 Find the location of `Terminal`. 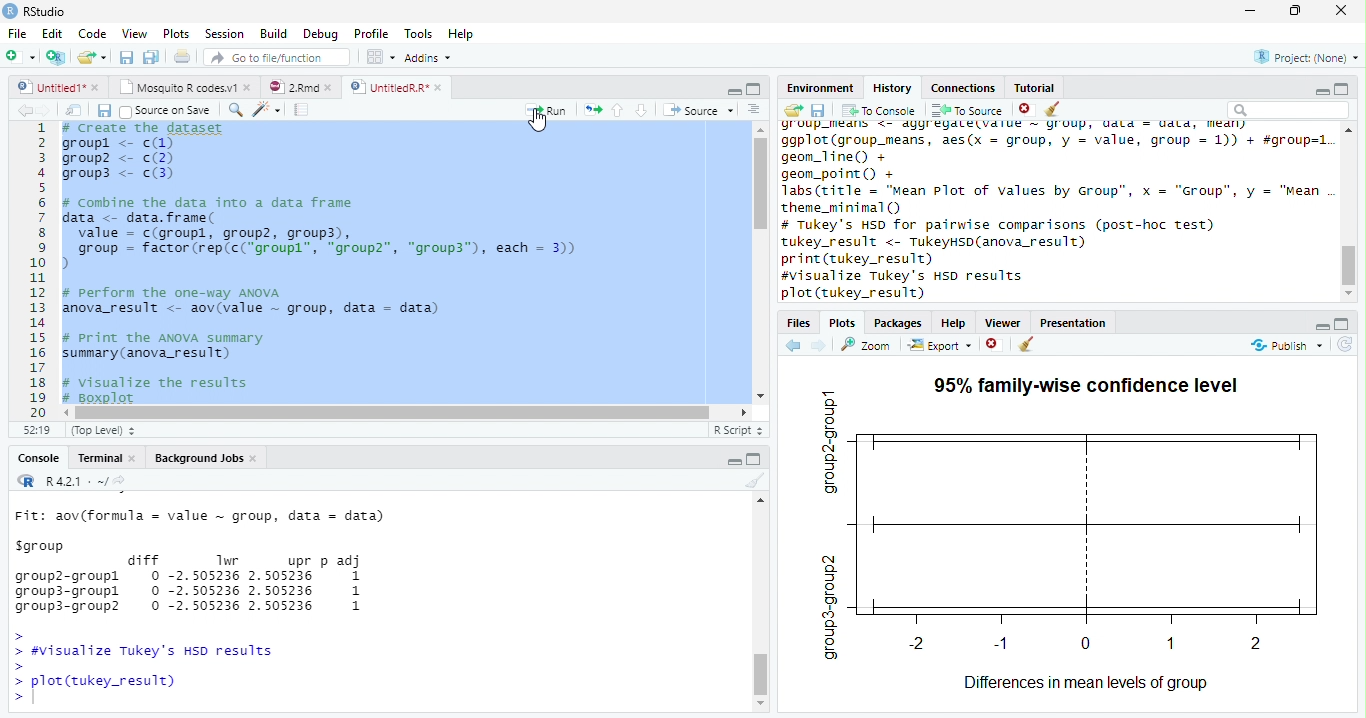

Terminal is located at coordinates (108, 458).